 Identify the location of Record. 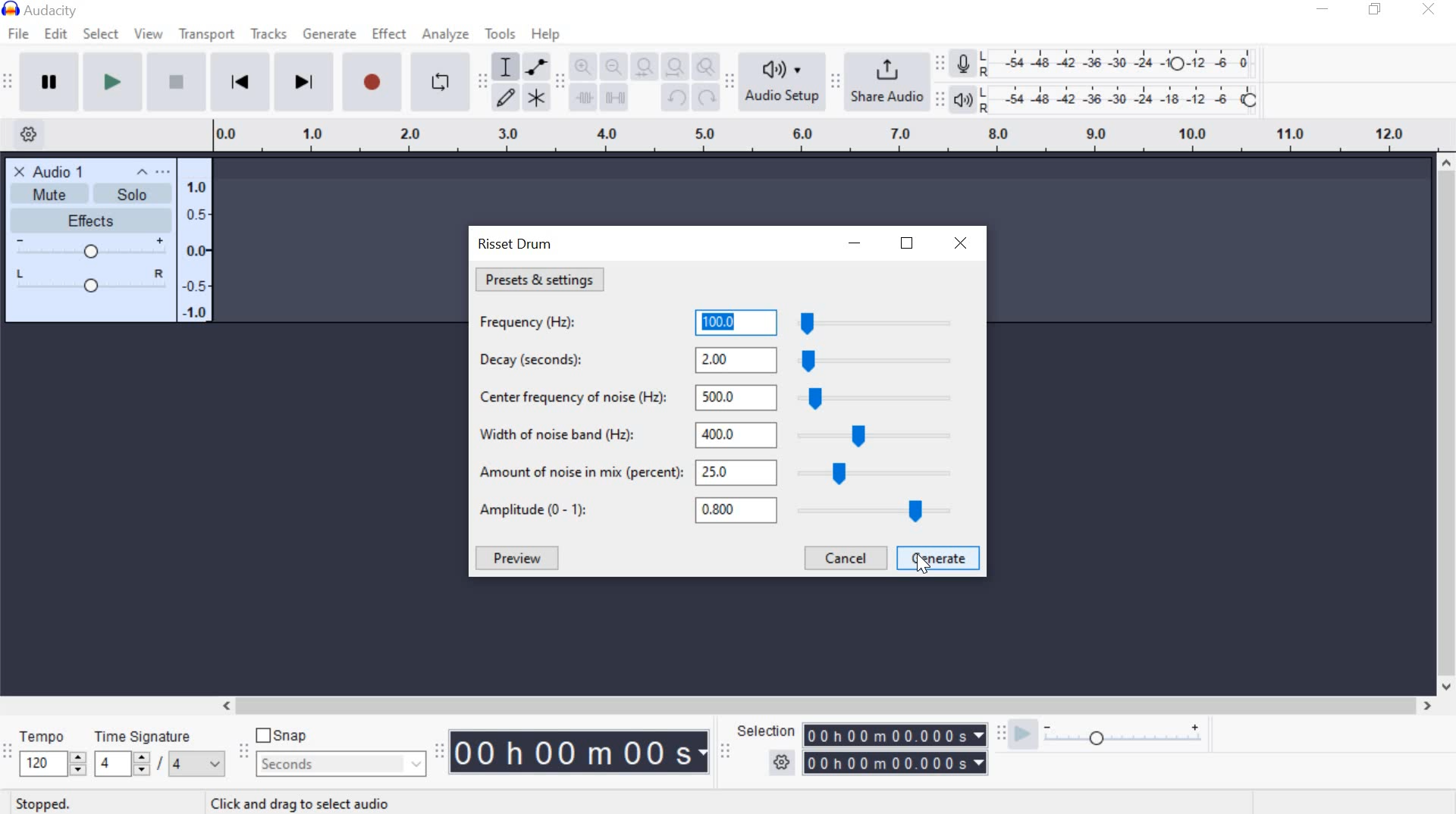
(373, 82).